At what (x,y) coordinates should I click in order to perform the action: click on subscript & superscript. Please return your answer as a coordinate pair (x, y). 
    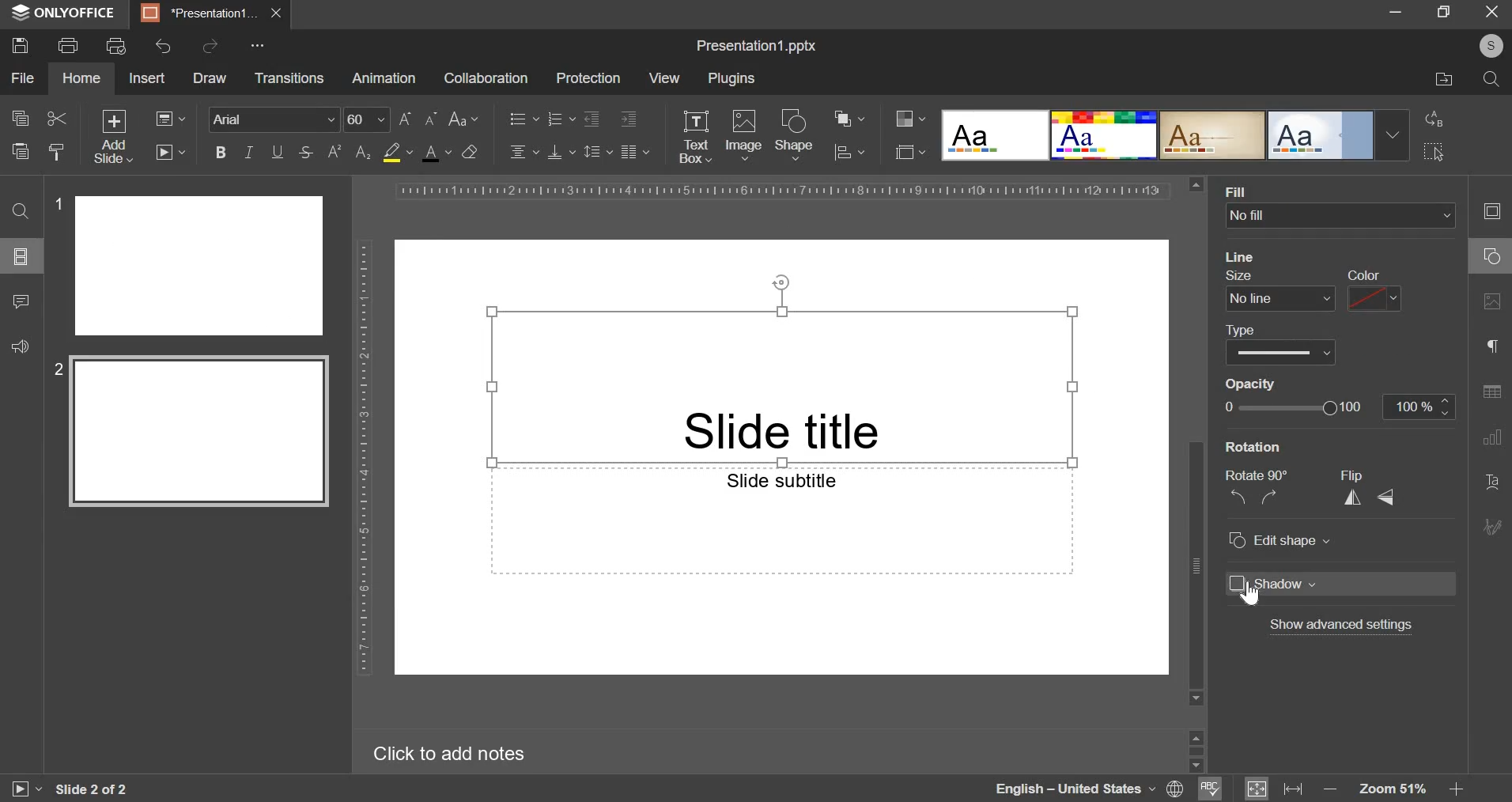
    Looking at the image, I should click on (349, 151).